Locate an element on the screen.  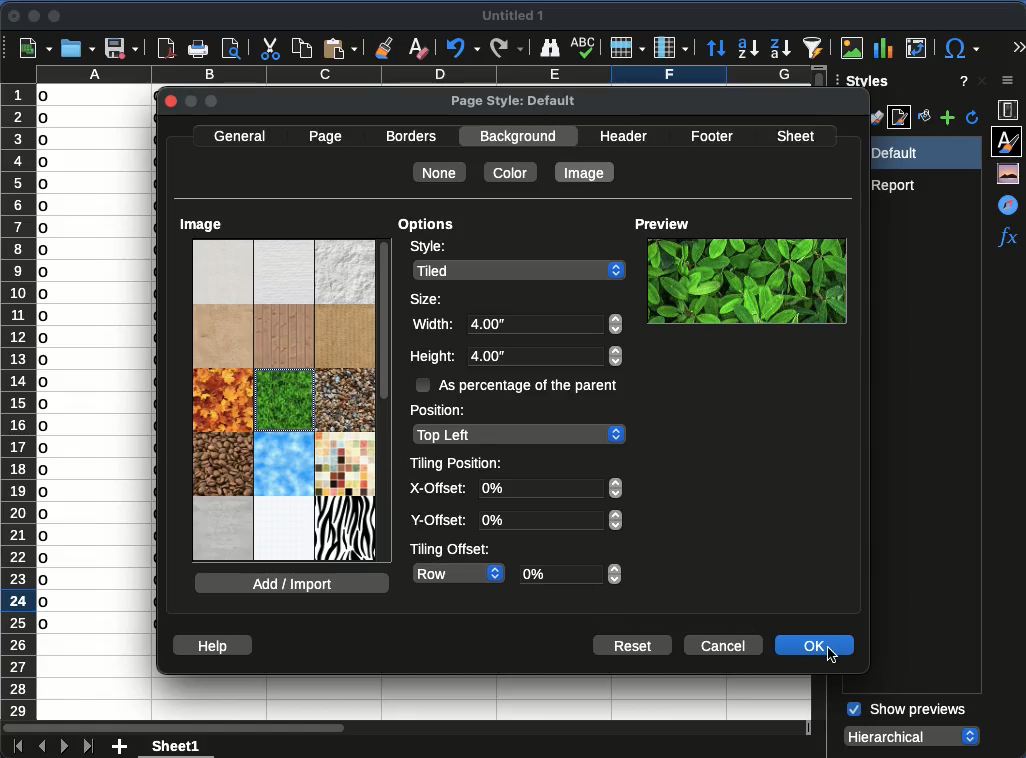
width is located at coordinates (431, 326).